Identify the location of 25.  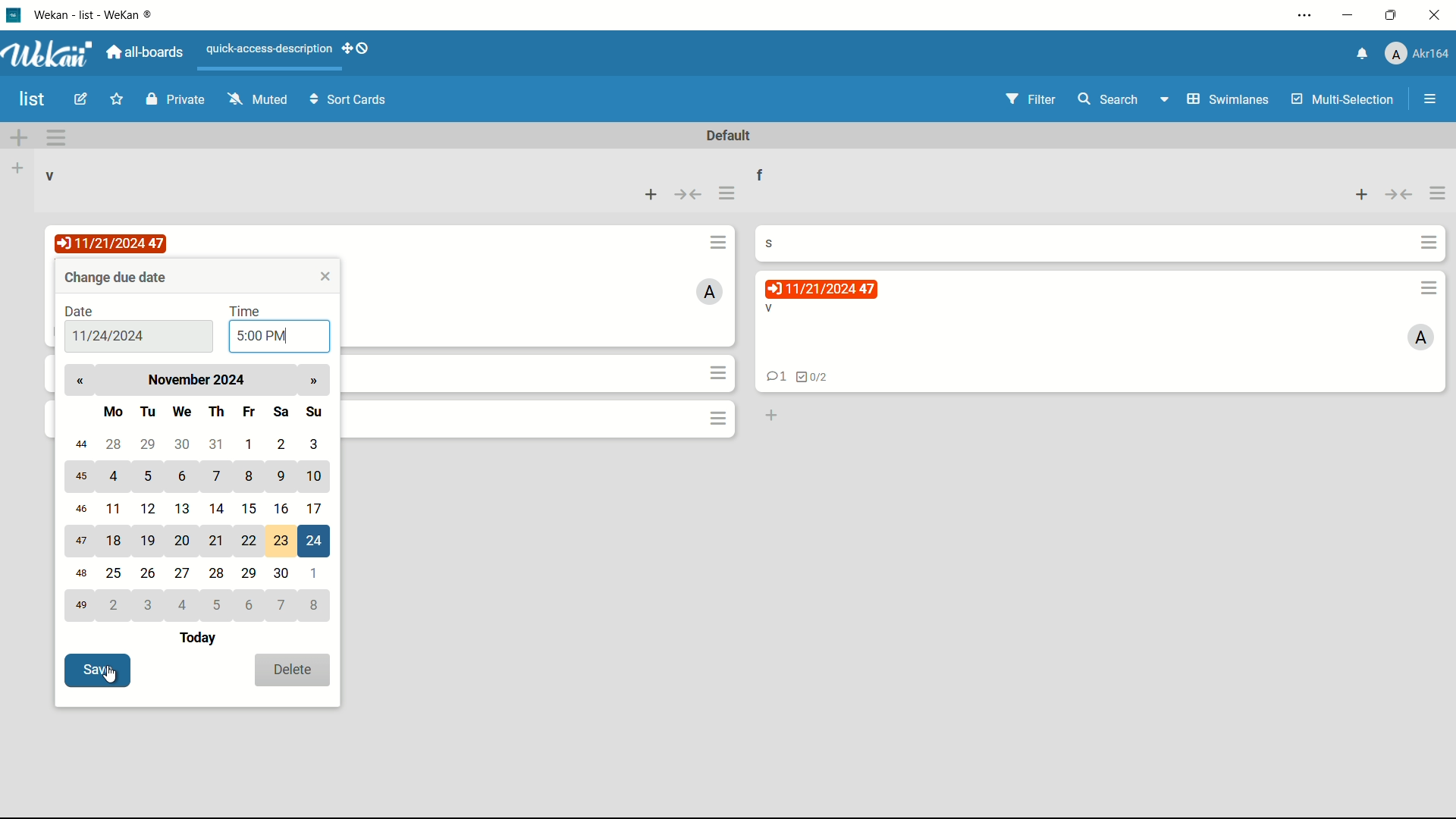
(115, 575).